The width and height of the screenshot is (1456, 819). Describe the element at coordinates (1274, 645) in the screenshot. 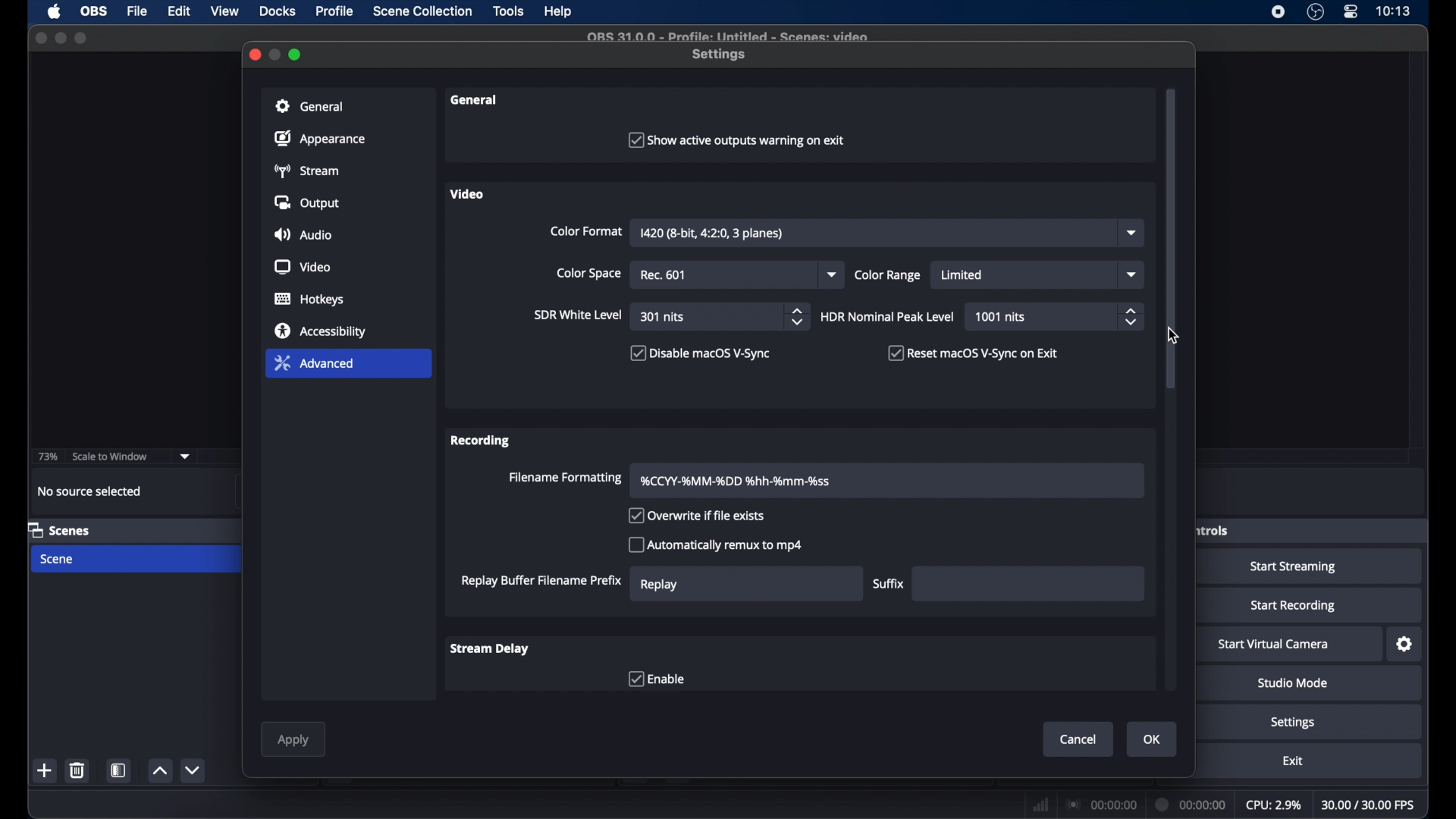

I see `start virtual camera` at that location.